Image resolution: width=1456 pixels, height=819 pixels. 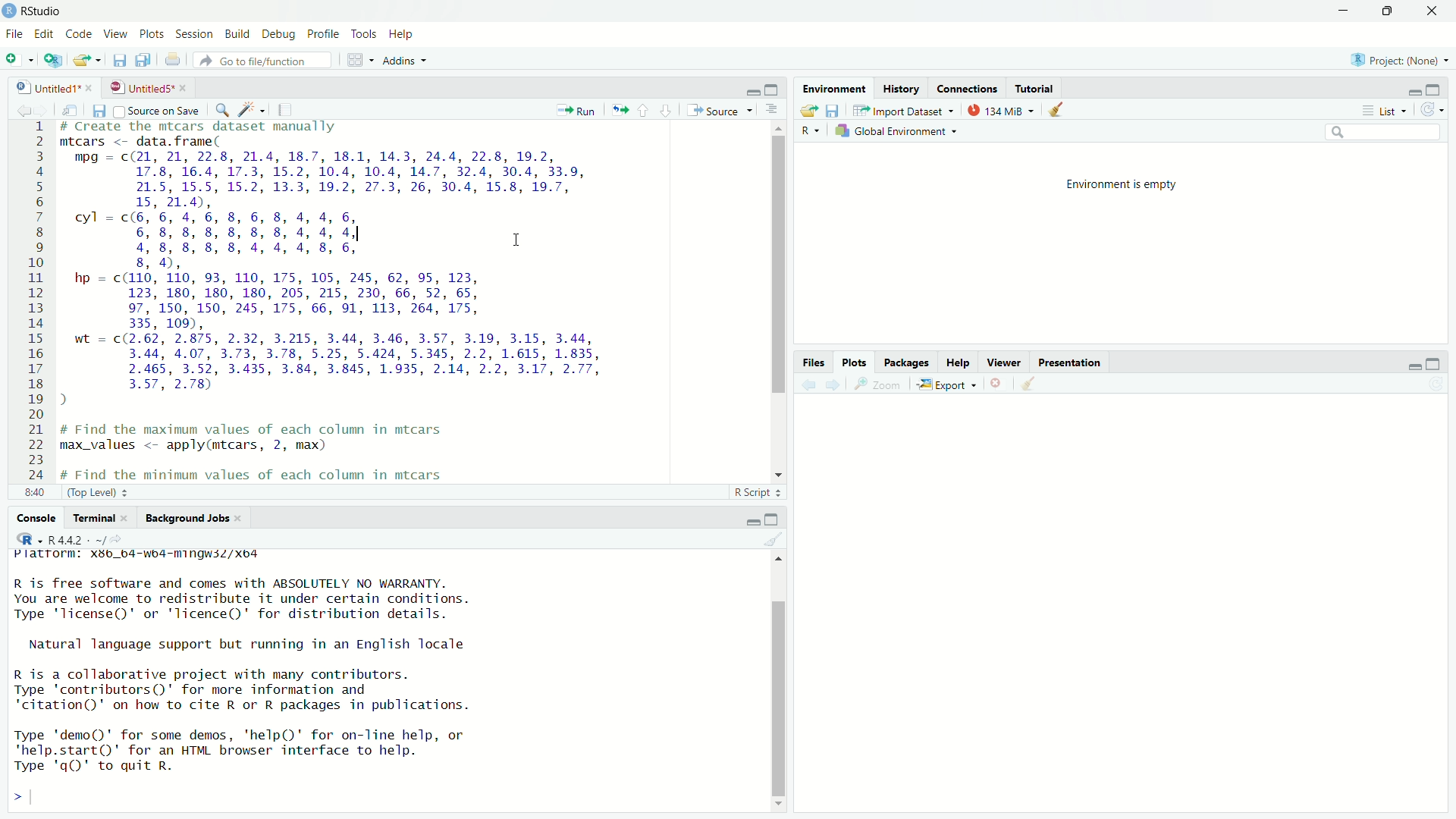 I want to click on Profile, so click(x=322, y=33).